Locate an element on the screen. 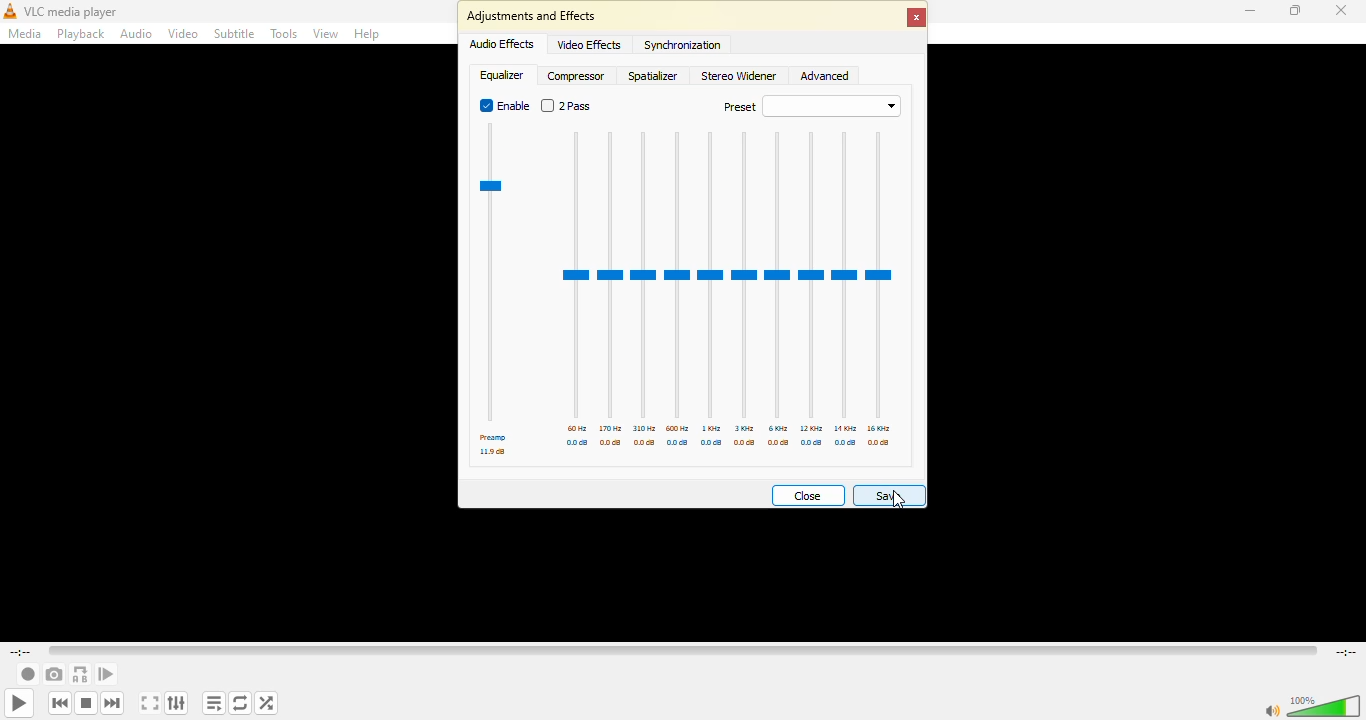 Image resolution: width=1366 pixels, height=720 pixels. equalizer is located at coordinates (501, 75).